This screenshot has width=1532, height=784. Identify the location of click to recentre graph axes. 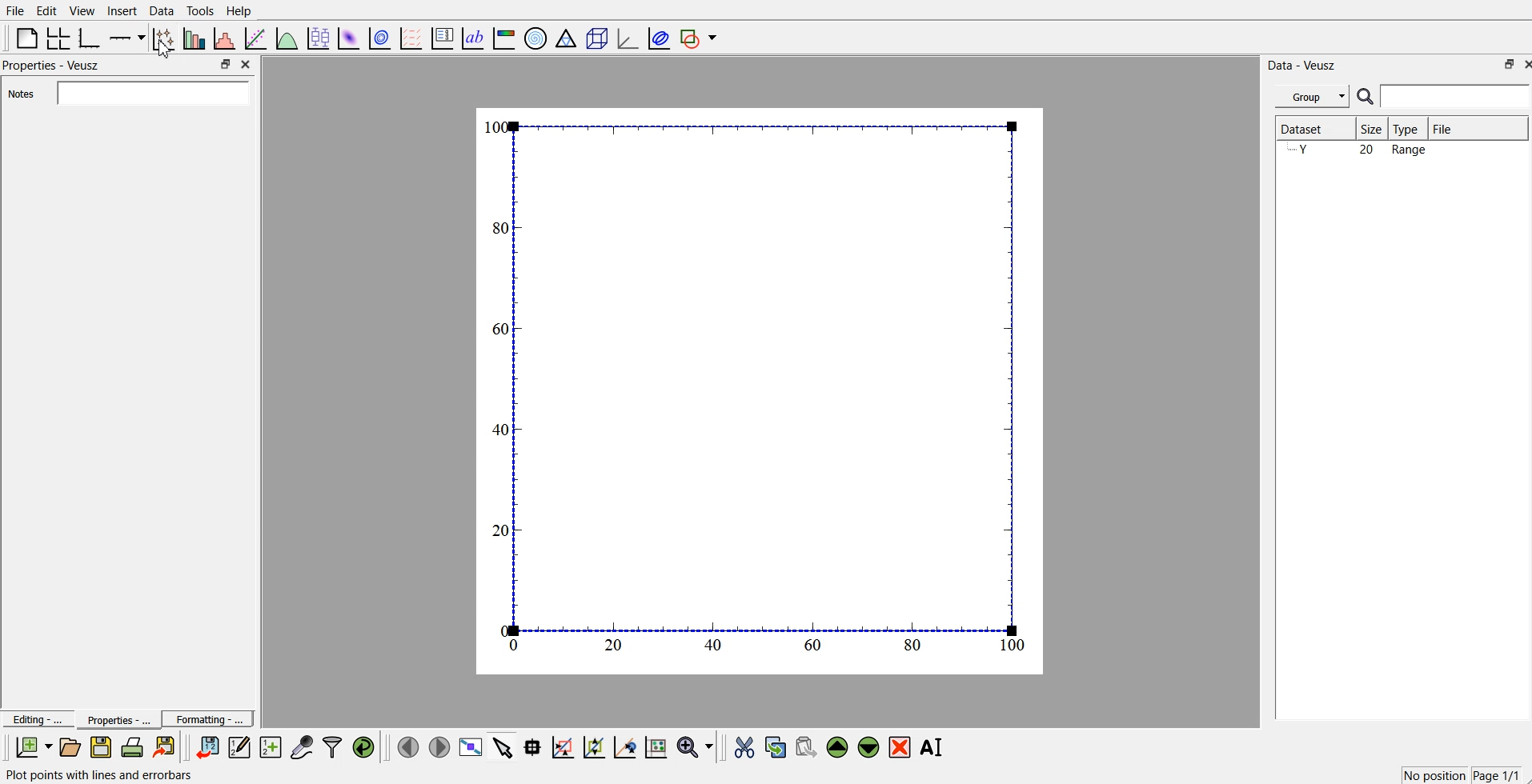
(626, 745).